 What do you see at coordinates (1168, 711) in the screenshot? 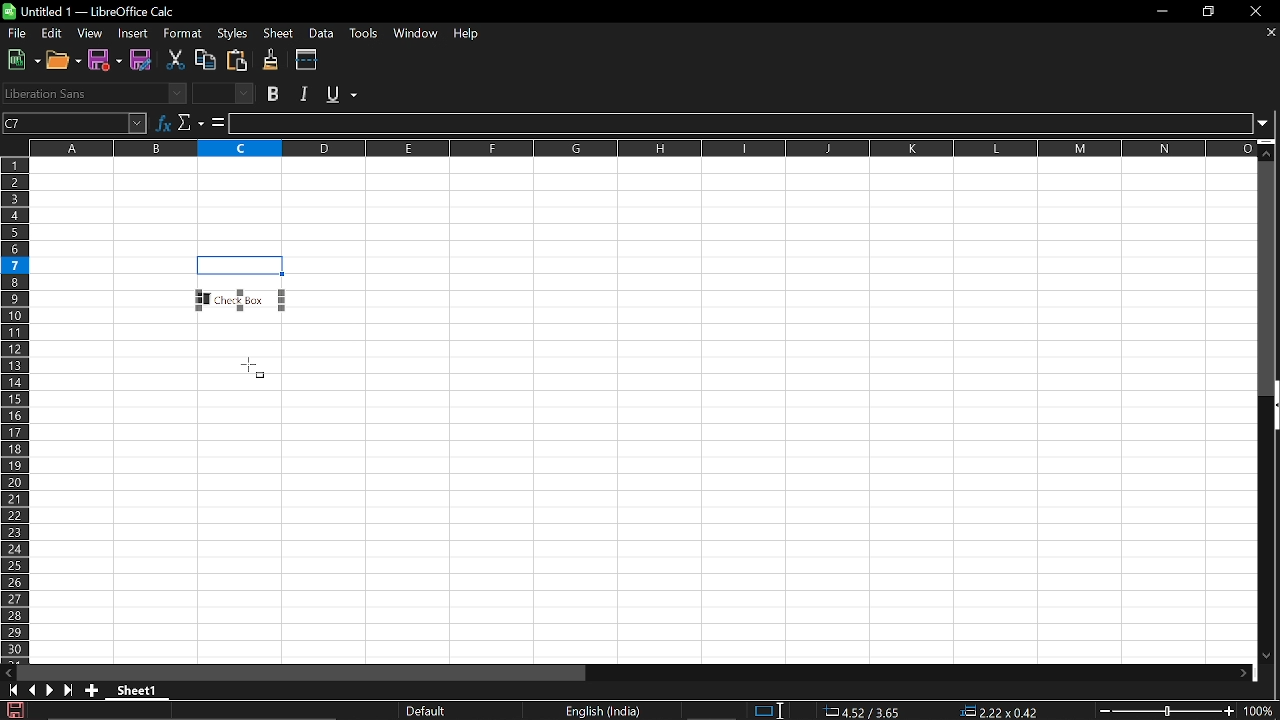
I see `Change Zoom` at bounding box center [1168, 711].